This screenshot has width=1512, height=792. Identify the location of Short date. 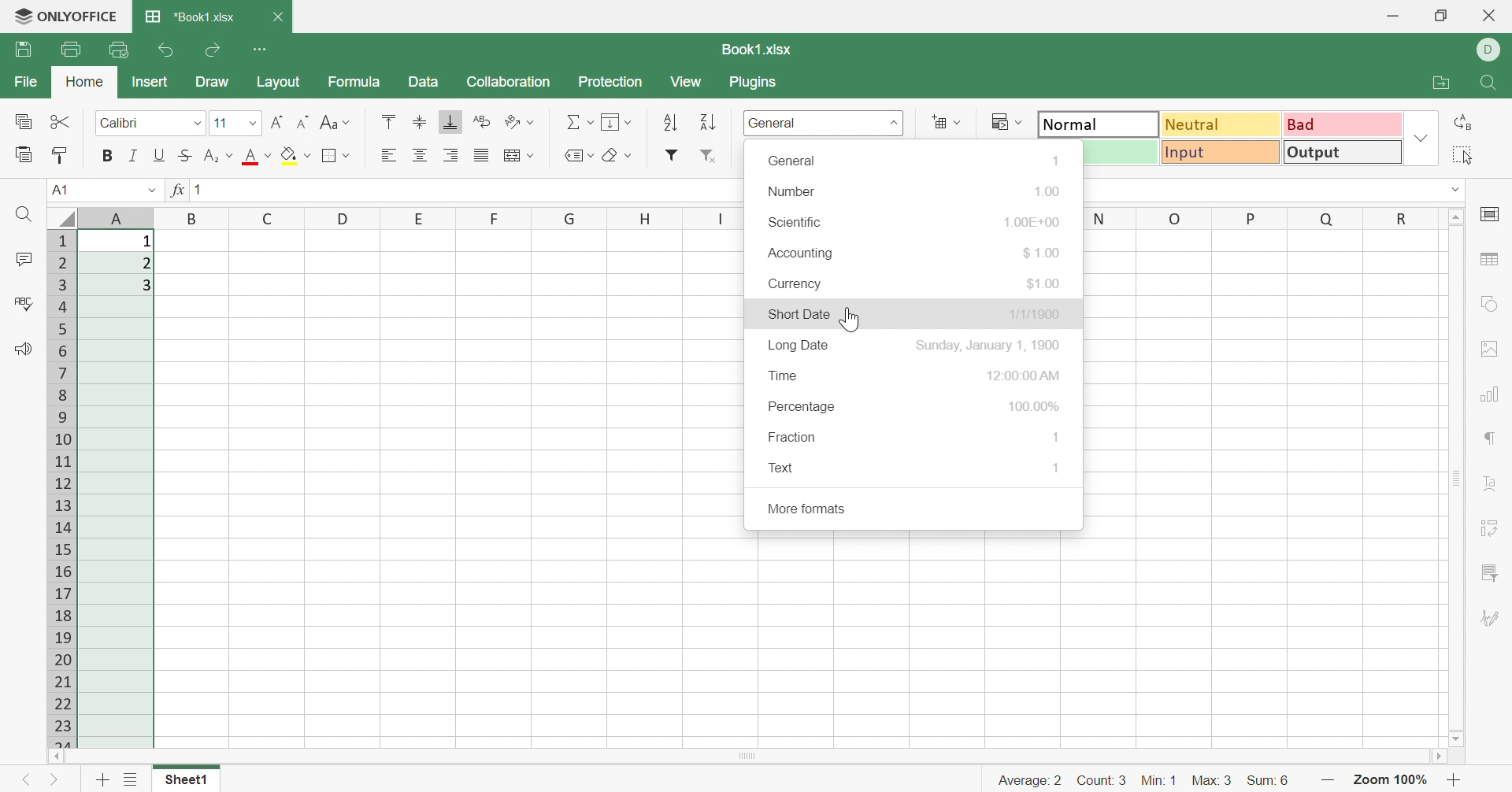
(801, 314).